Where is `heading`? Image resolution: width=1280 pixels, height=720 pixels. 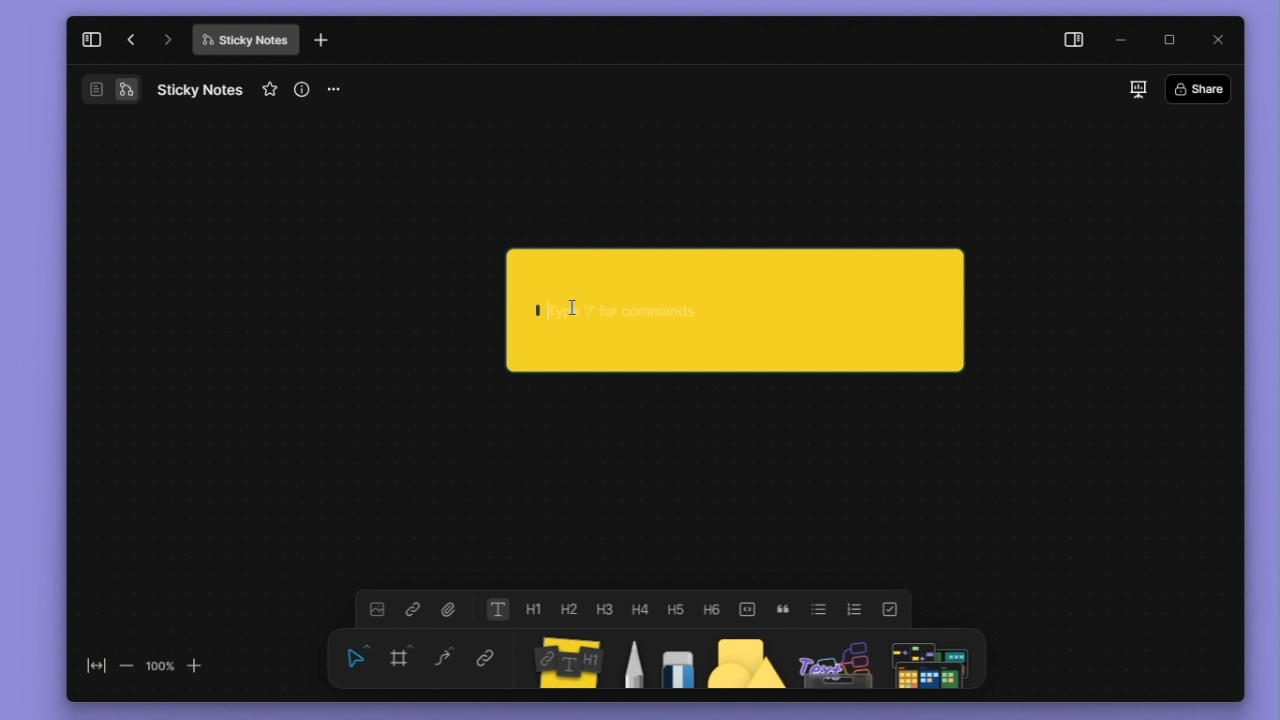
heading is located at coordinates (718, 611).